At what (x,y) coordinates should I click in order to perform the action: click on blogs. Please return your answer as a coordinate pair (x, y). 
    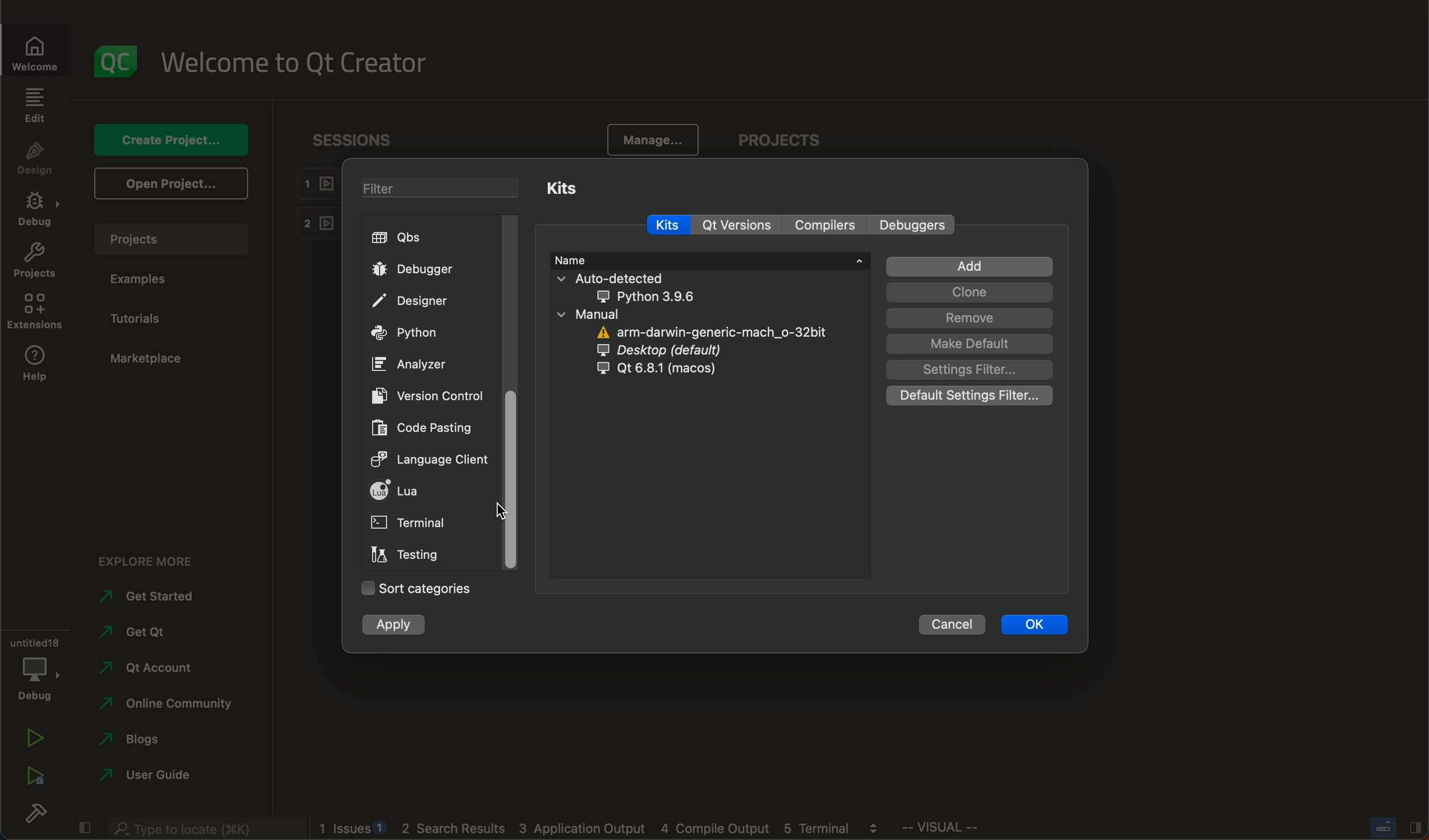
    Looking at the image, I should click on (144, 738).